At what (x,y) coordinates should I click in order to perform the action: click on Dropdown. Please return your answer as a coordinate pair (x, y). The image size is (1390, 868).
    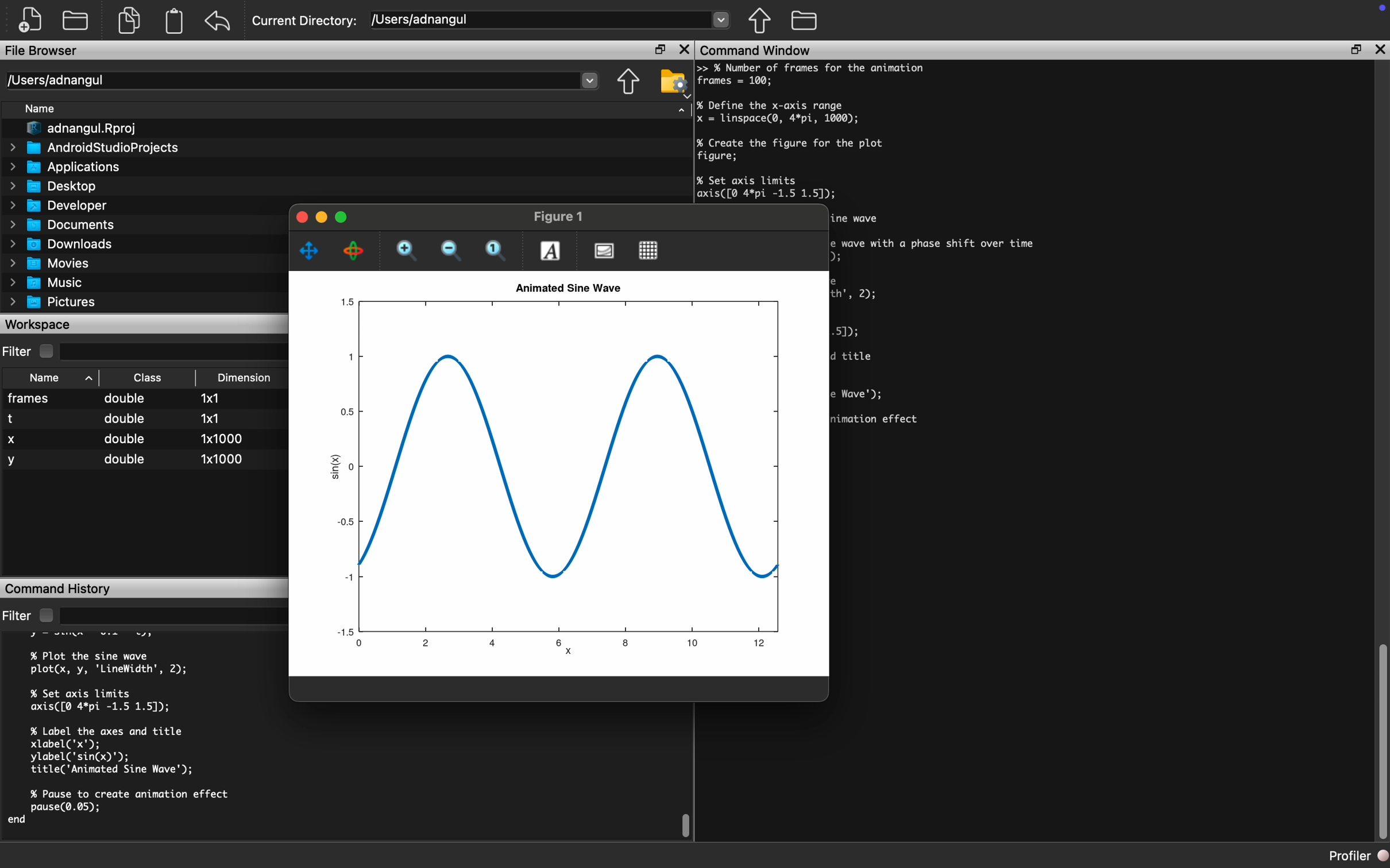
    Looking at the image, I should click on (173, 351).